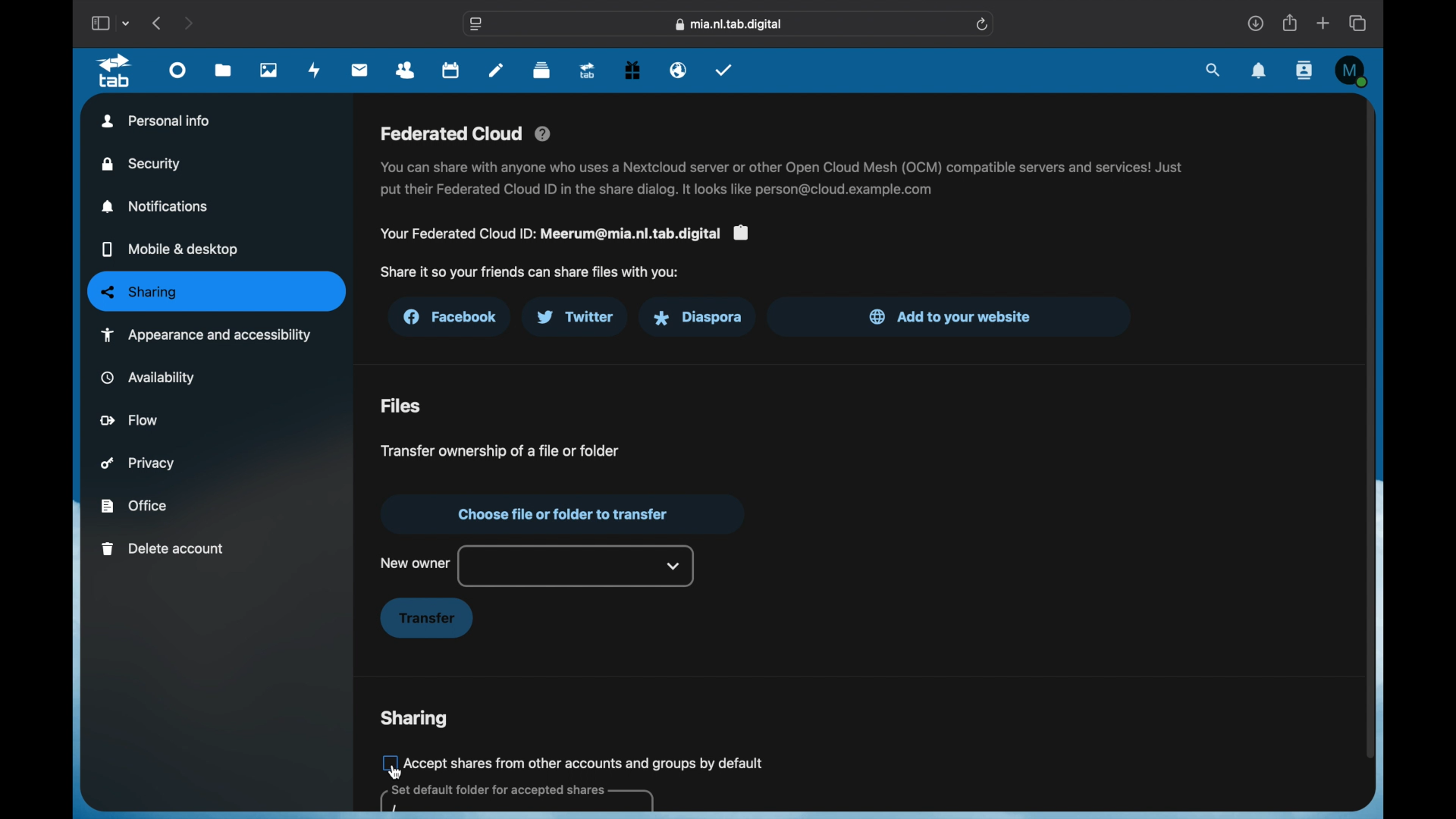 The height and width of the screenshot is (819, 1456). Describe the element at coordinates (496, 70) in the screenshot. I see `notes` at that location.